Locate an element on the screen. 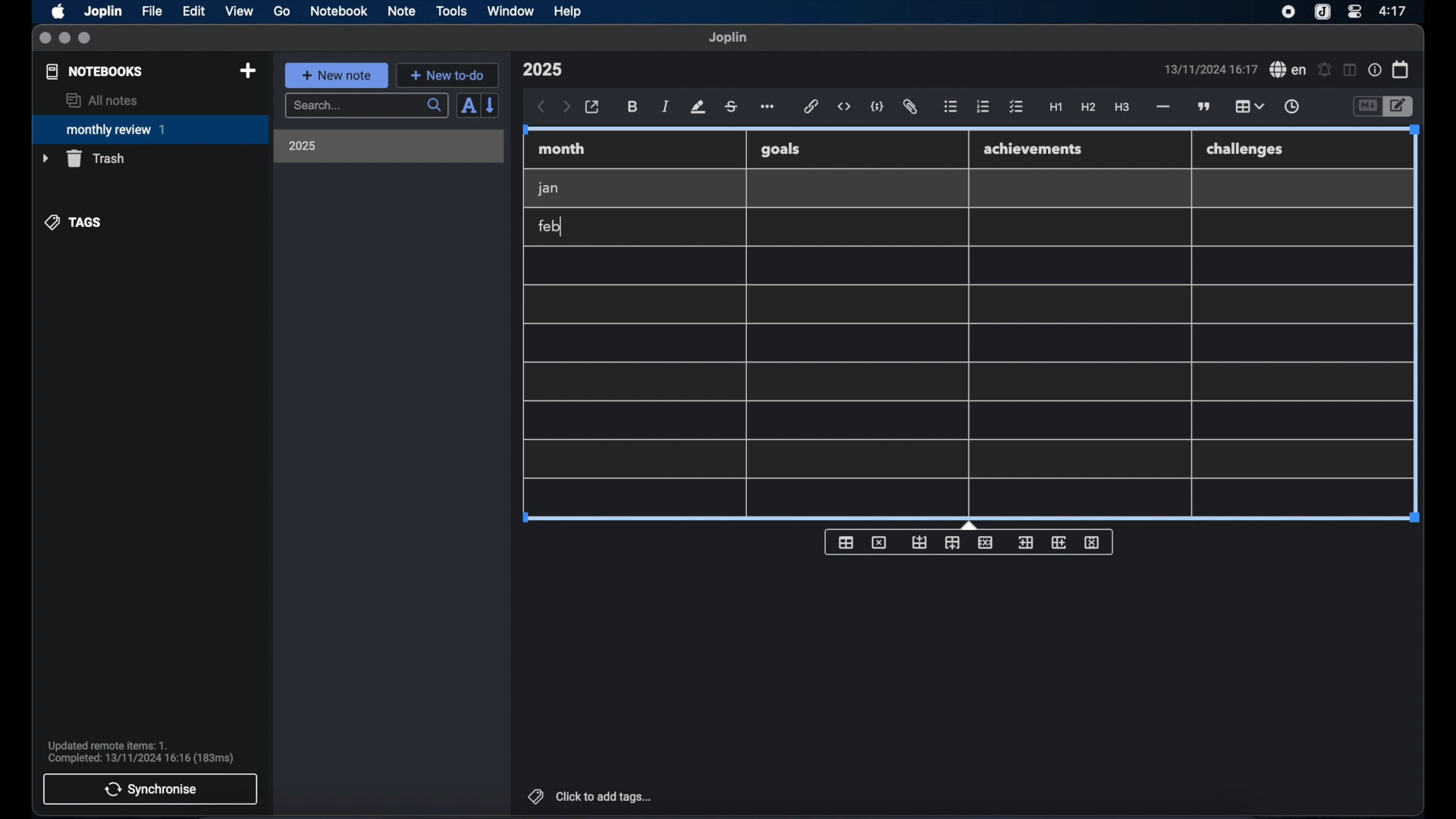  note title is located at coordinates (542, 70).